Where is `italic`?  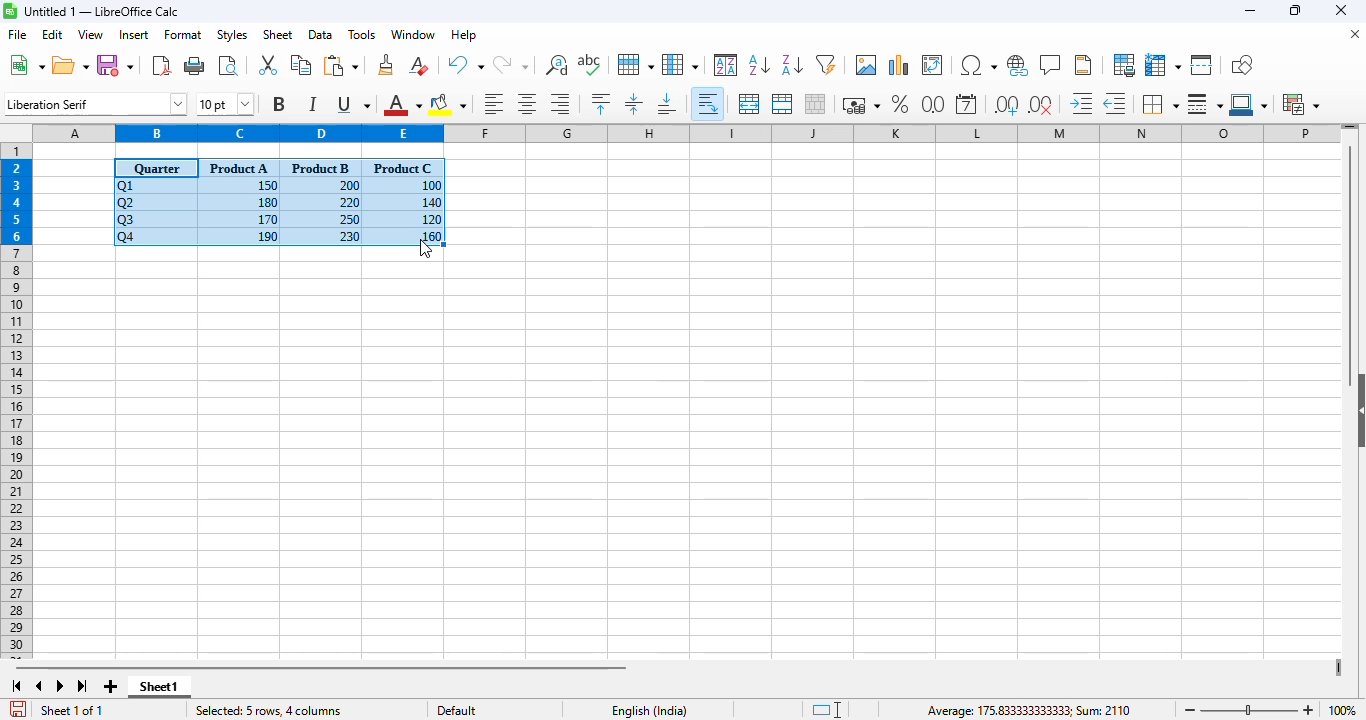 italic is located at coordinates (312, 104).